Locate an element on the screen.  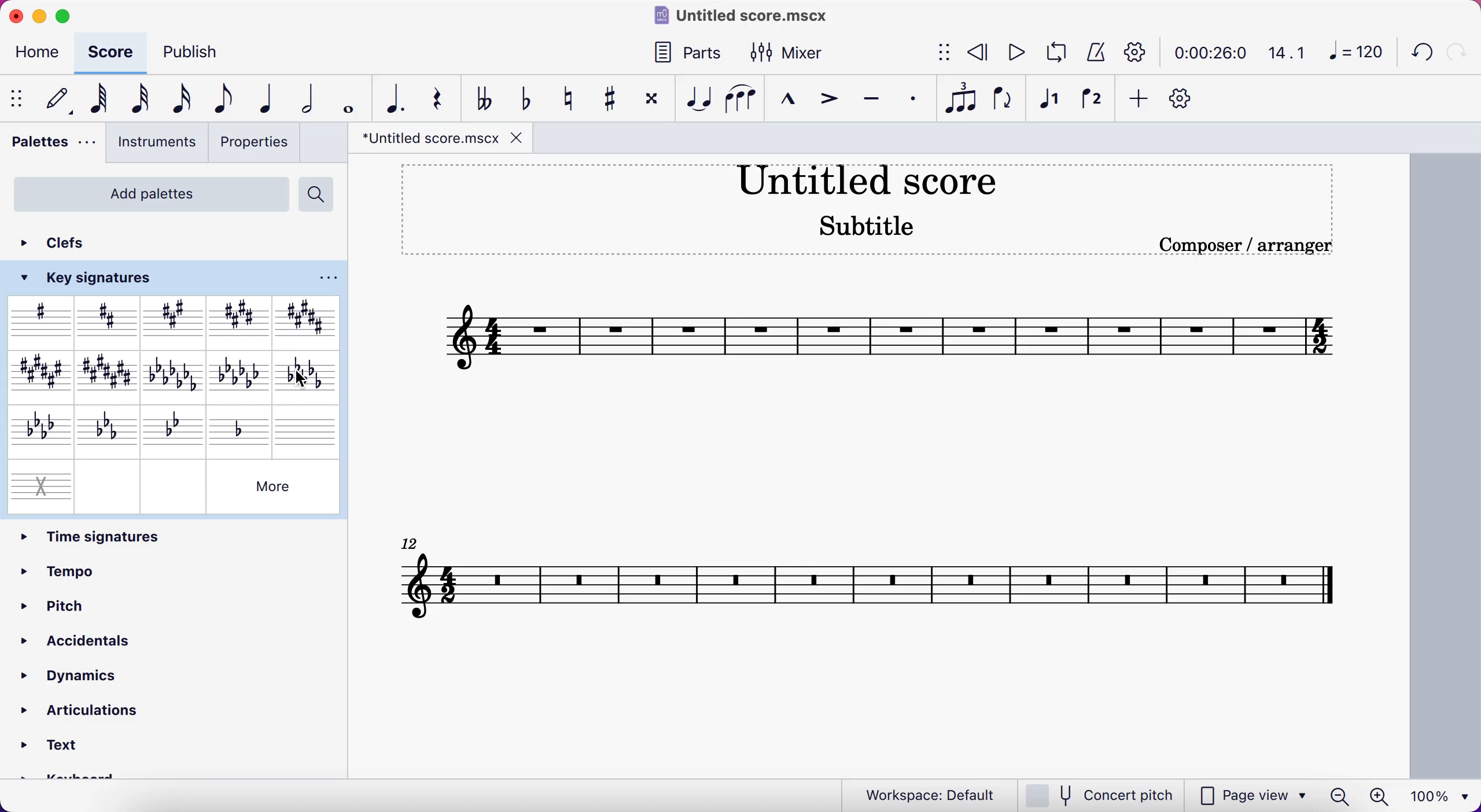
concert pitch is located at coordinates (1099, 794).